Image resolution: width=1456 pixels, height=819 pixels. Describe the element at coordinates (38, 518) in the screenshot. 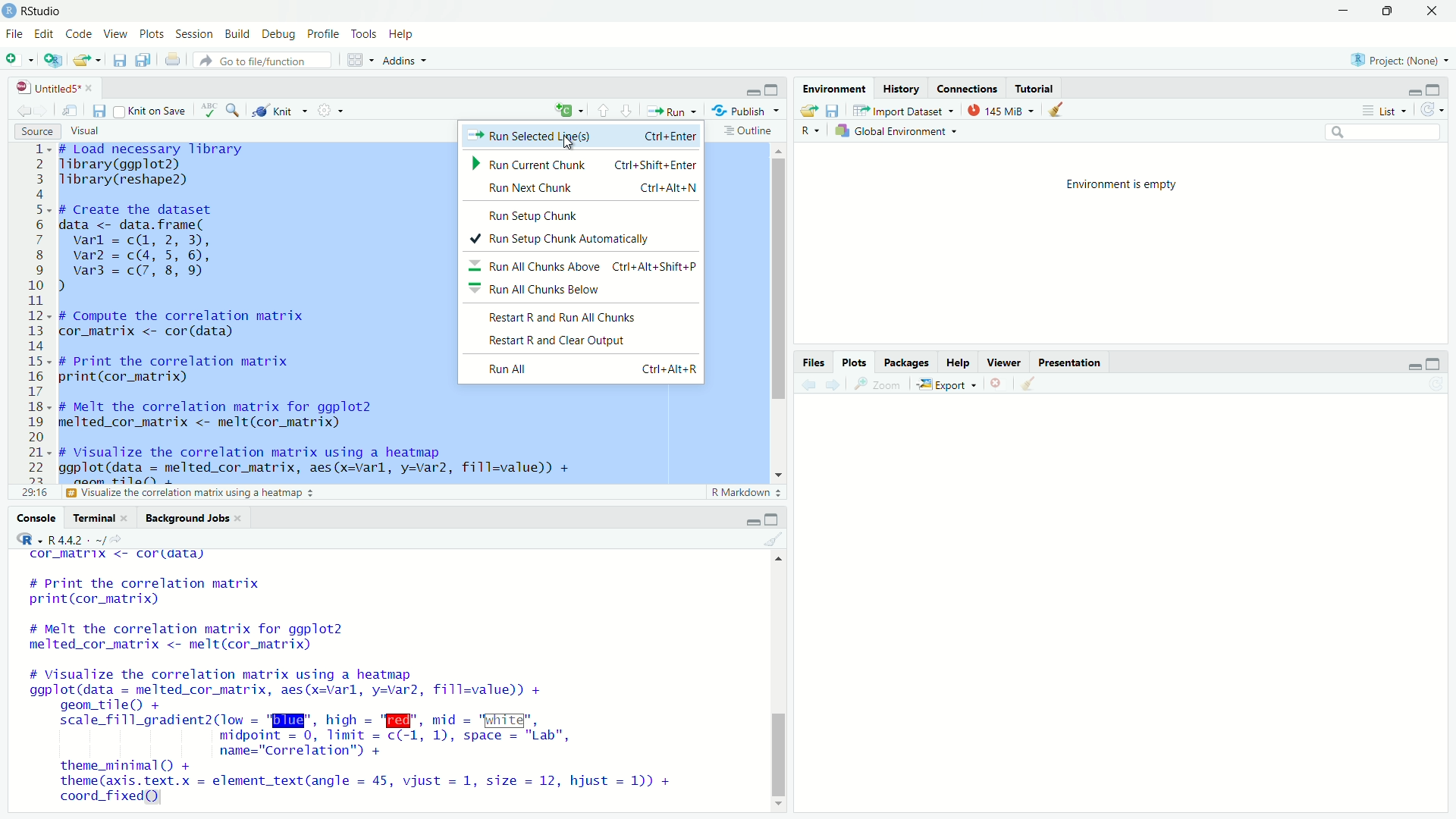

I see `console` at that location.